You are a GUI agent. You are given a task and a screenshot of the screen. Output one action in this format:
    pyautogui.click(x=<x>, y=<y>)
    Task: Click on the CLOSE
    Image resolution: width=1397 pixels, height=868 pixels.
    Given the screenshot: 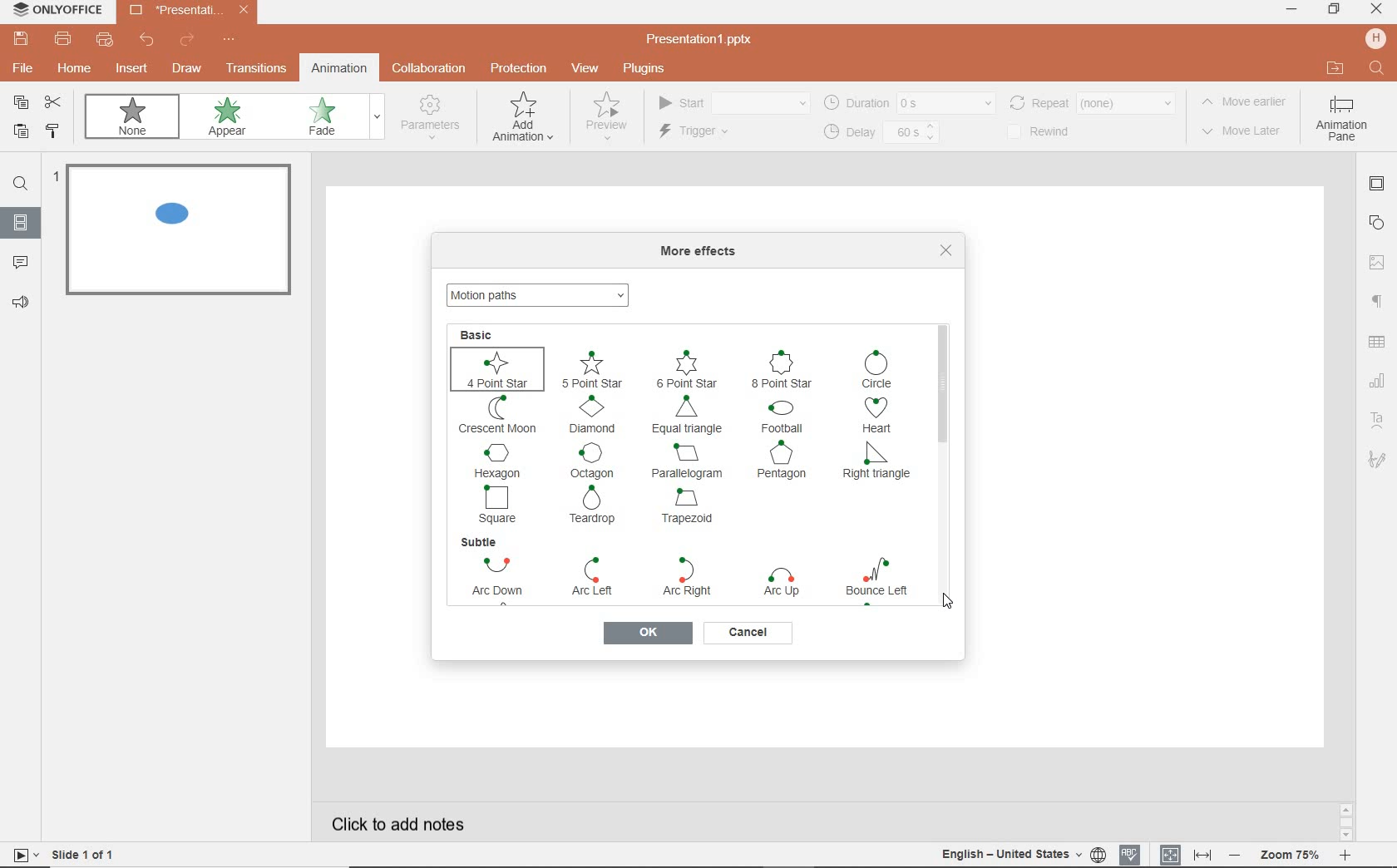 What is the action you would take?
    pyautogui.click(x=946, y=250)
    